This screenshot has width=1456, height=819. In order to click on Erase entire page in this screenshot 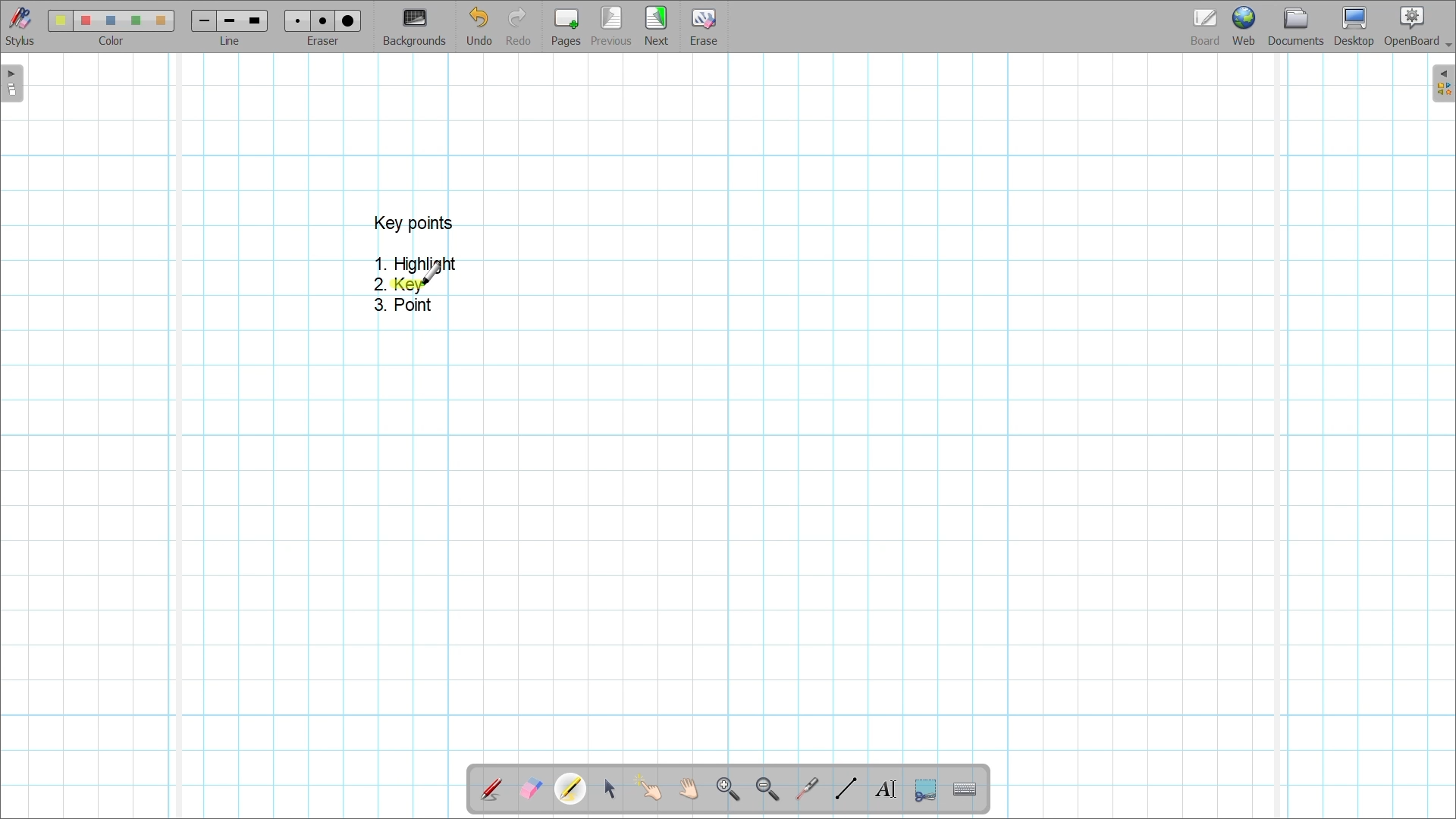, I will do `click(703, 27)`.